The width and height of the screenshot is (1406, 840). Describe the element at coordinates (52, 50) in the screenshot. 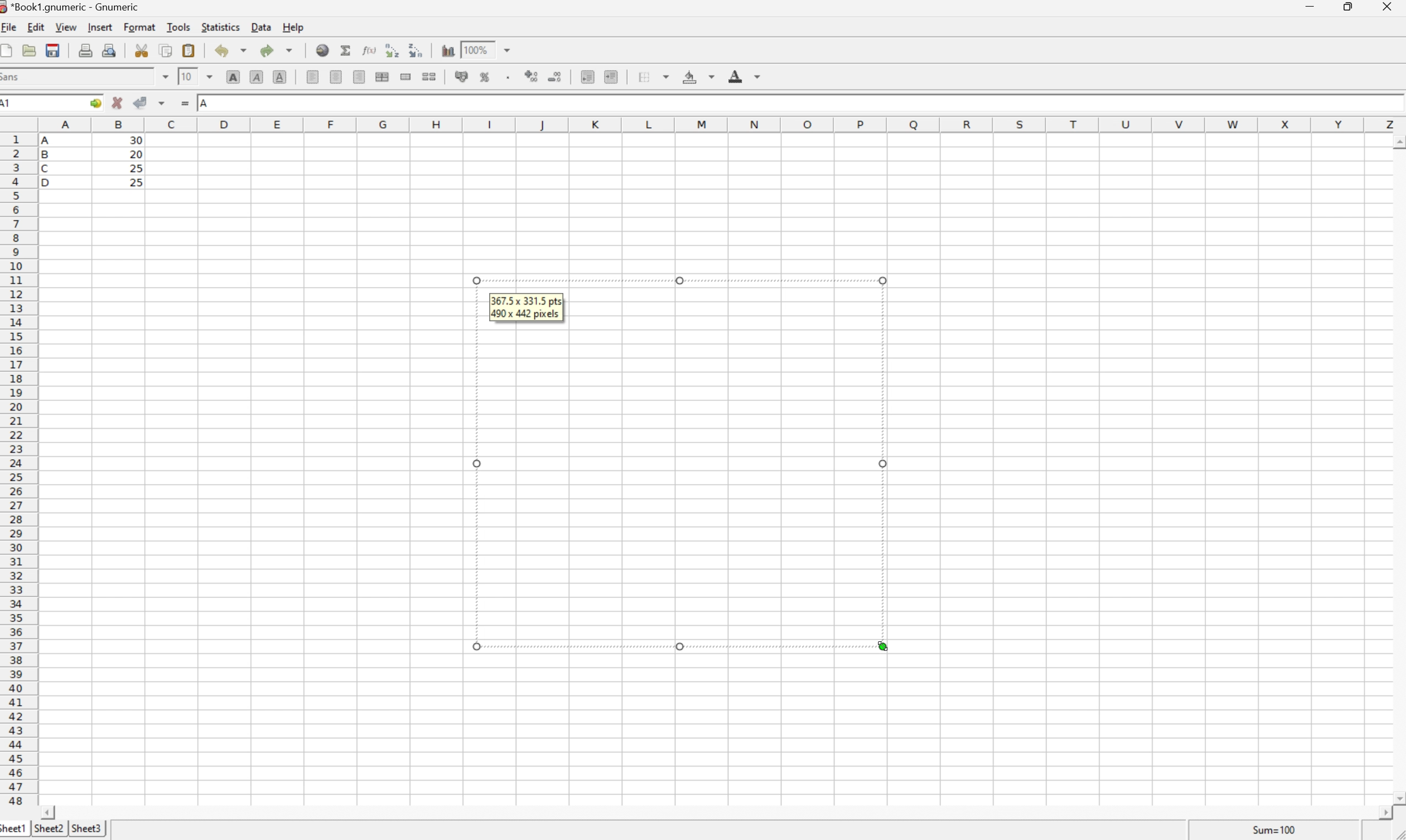

I see `Save the current workbook` at that location.